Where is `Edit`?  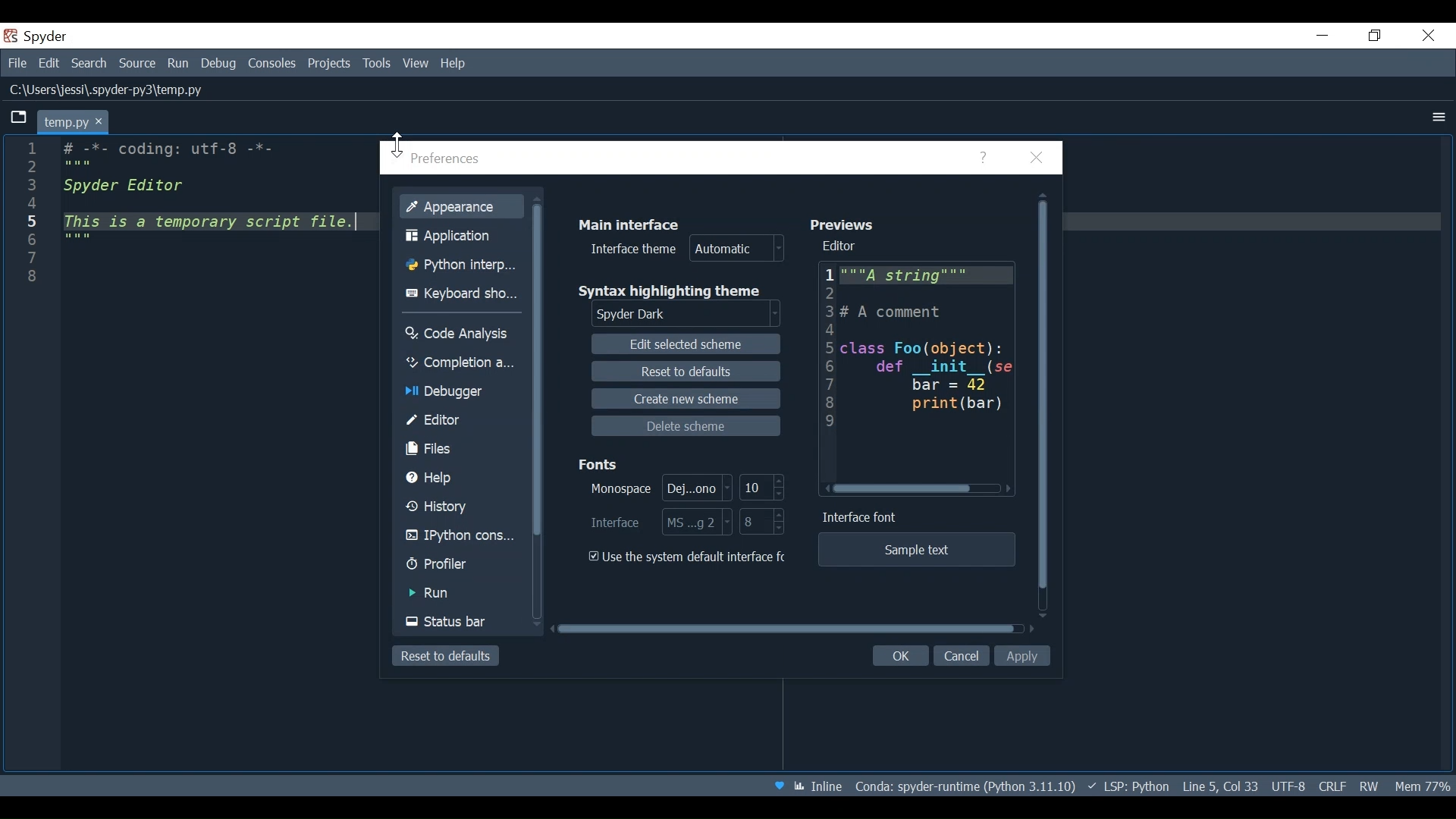
Edit is located at coordinates (49, 64).